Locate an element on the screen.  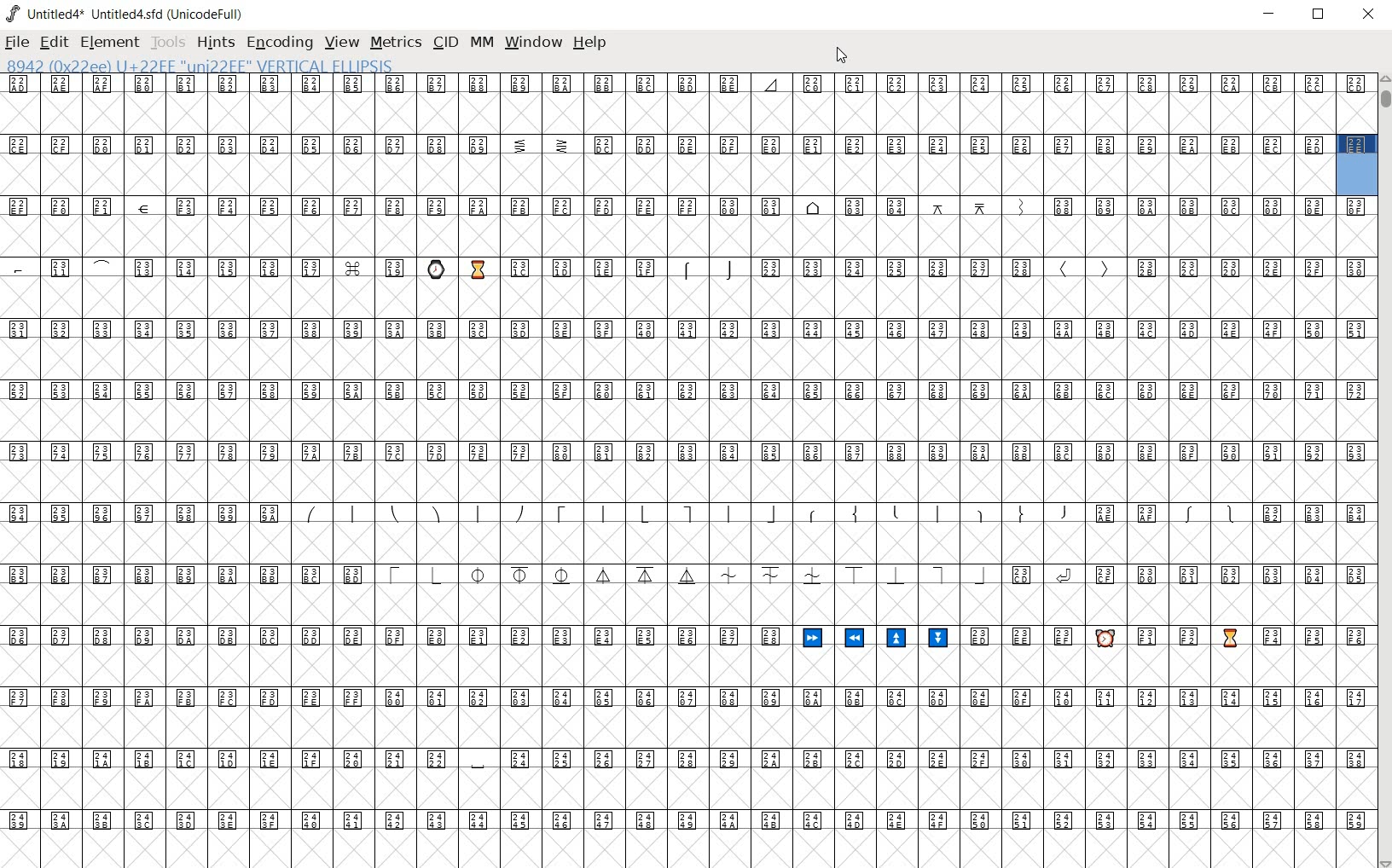
METRICS is located at coordinates (395, 42).